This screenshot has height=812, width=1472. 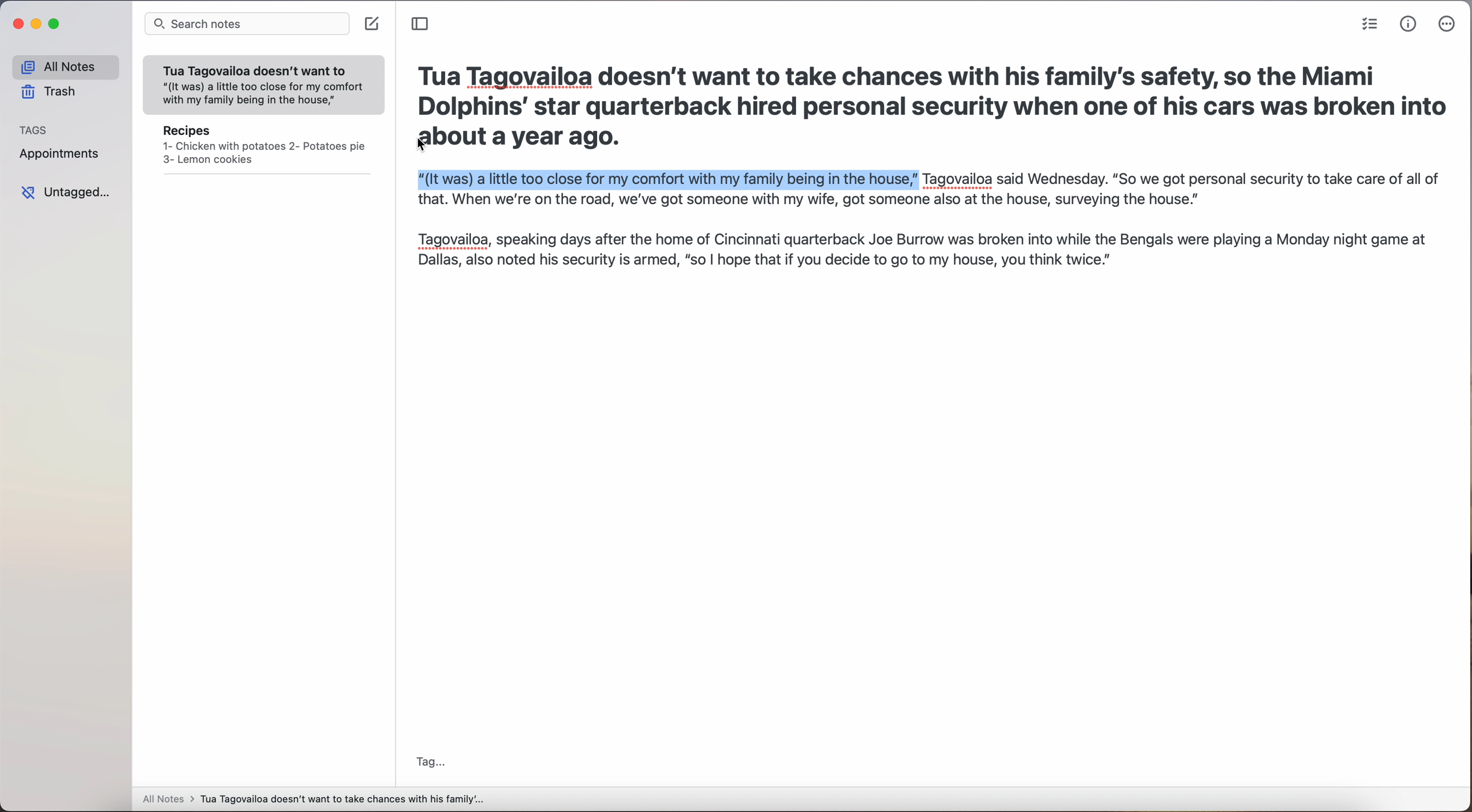 I want to click on cursor, so click(x=423, y=145).